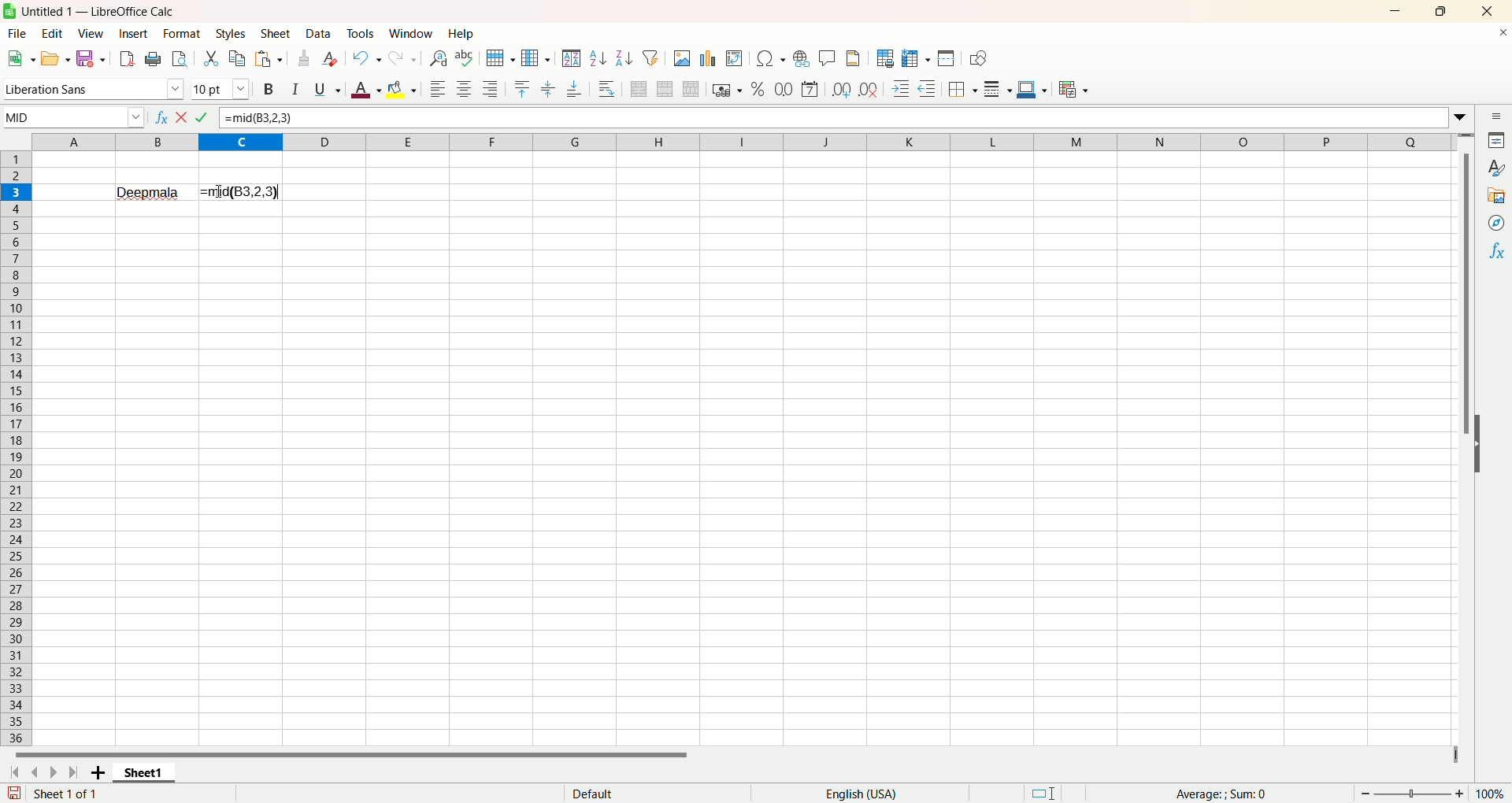 The image size is (1512, 803). What do you see at coordinates (74, 117) in the screenshot?
I see `MID` at bounding box center [74, 117].